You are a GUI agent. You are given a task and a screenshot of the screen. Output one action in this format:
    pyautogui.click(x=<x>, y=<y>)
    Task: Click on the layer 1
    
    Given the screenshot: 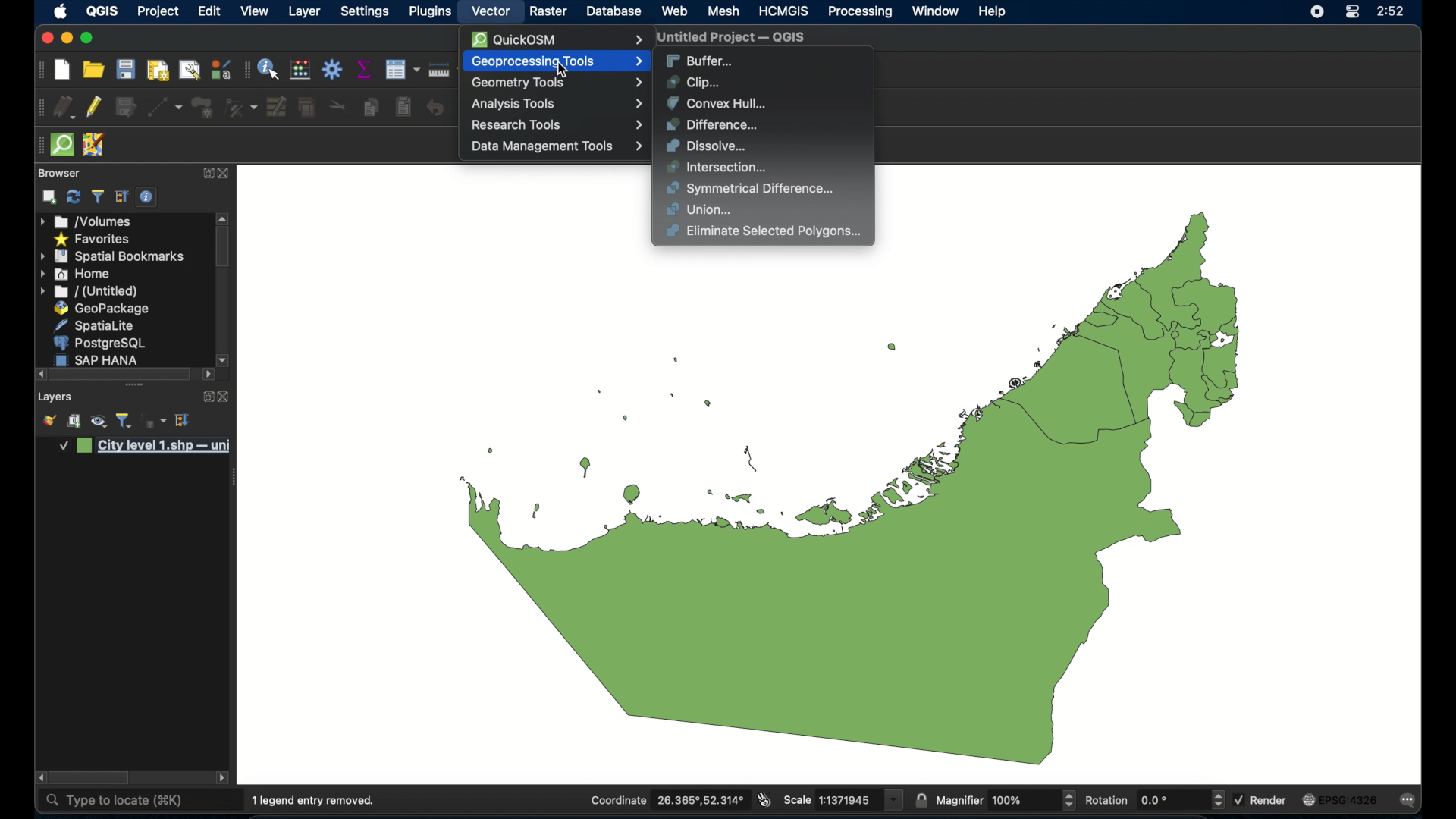 What is the action you would take?
    pyautogui.click(x=146, y=447)
    